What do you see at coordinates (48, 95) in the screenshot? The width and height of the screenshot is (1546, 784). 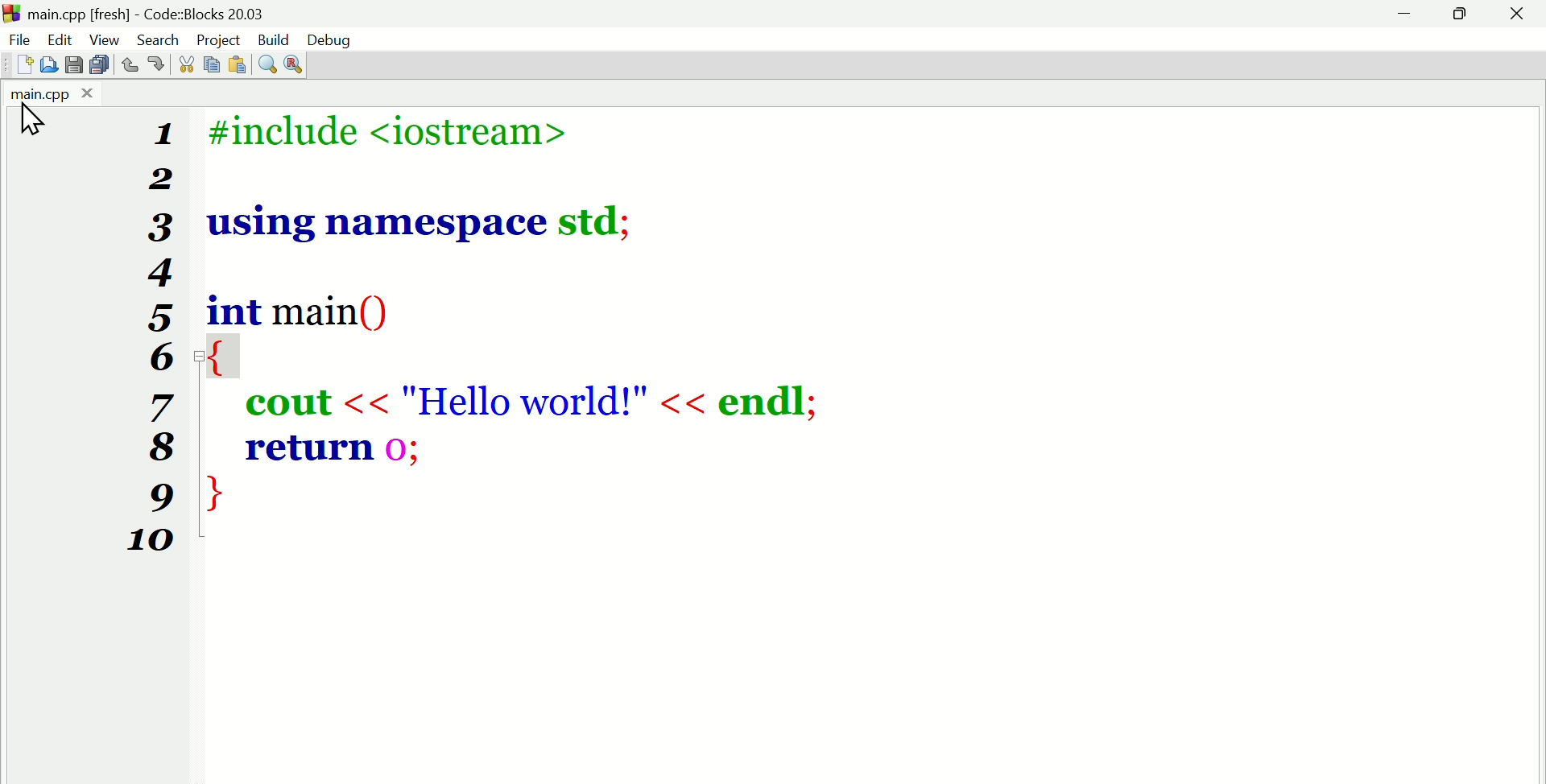 I see `Main.Cpp` at bounding box center [48, 95].